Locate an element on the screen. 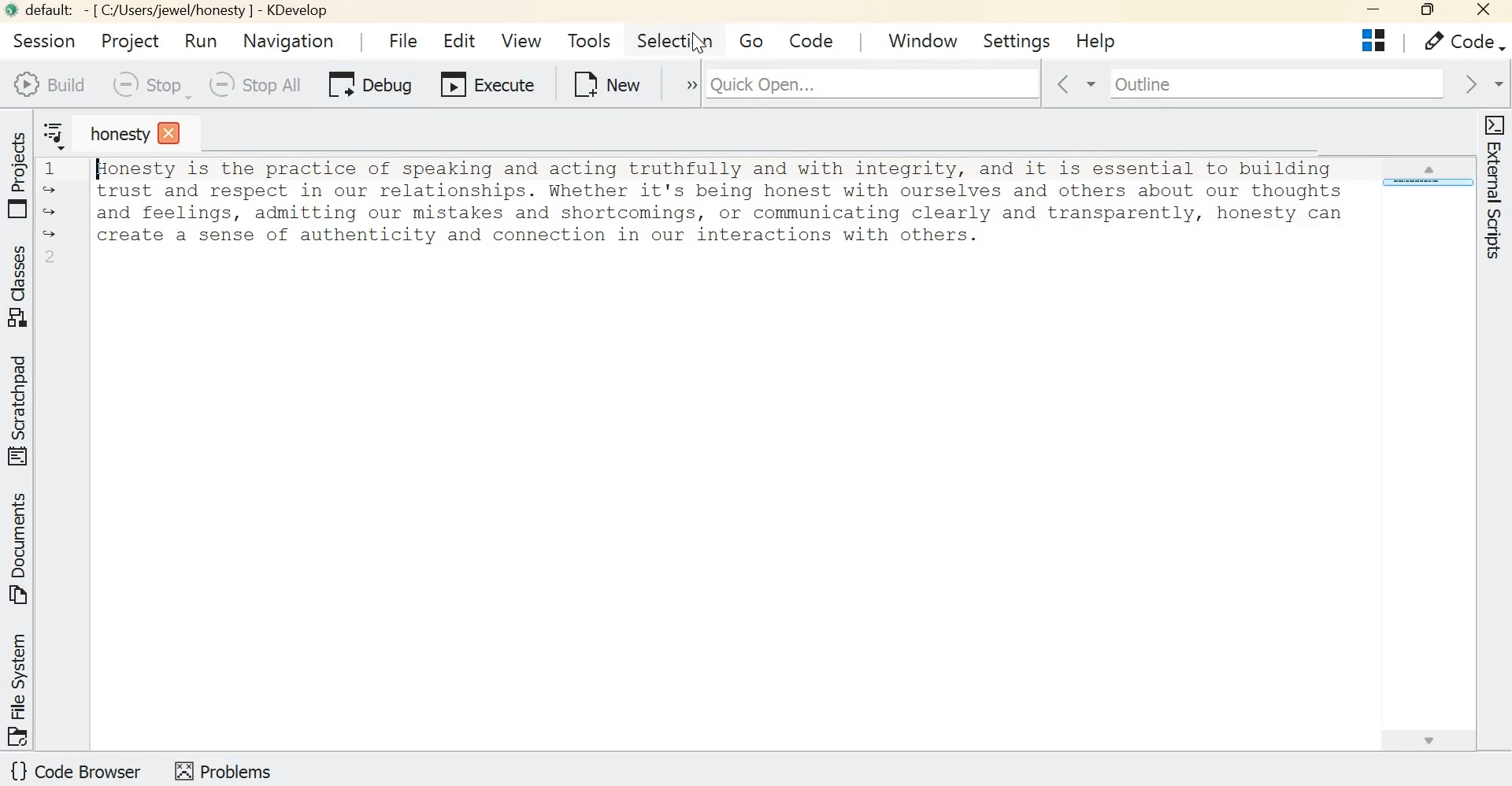 The height and width of the screenshot is (786, 1512). Go back in context history is located at coordinates (1065, 85).